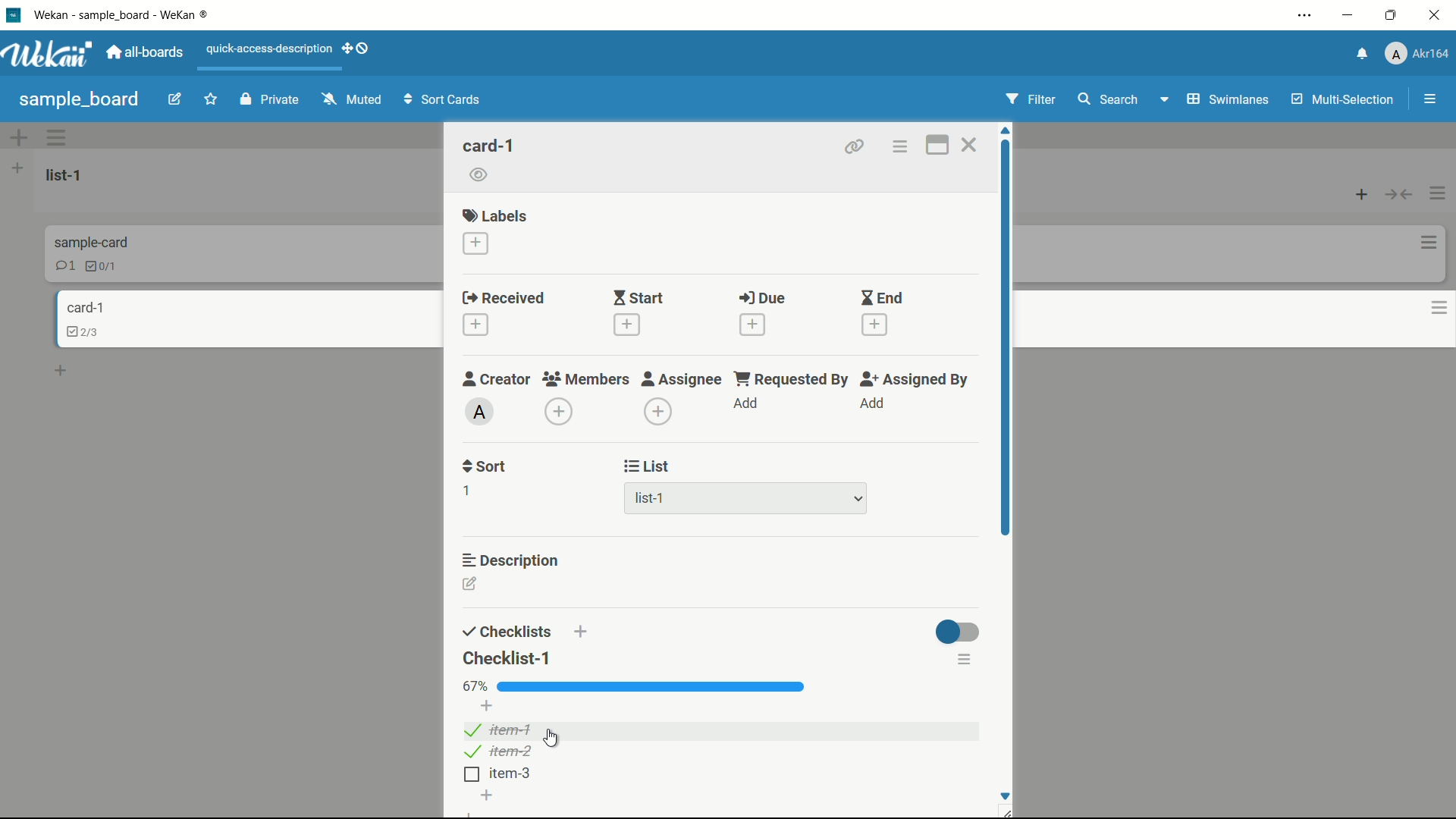 The height and width of the screenshot is (819, 1456). Describe the element at coordinates (47, 54) in the screenshot. I see `Wekan logo` at that location.